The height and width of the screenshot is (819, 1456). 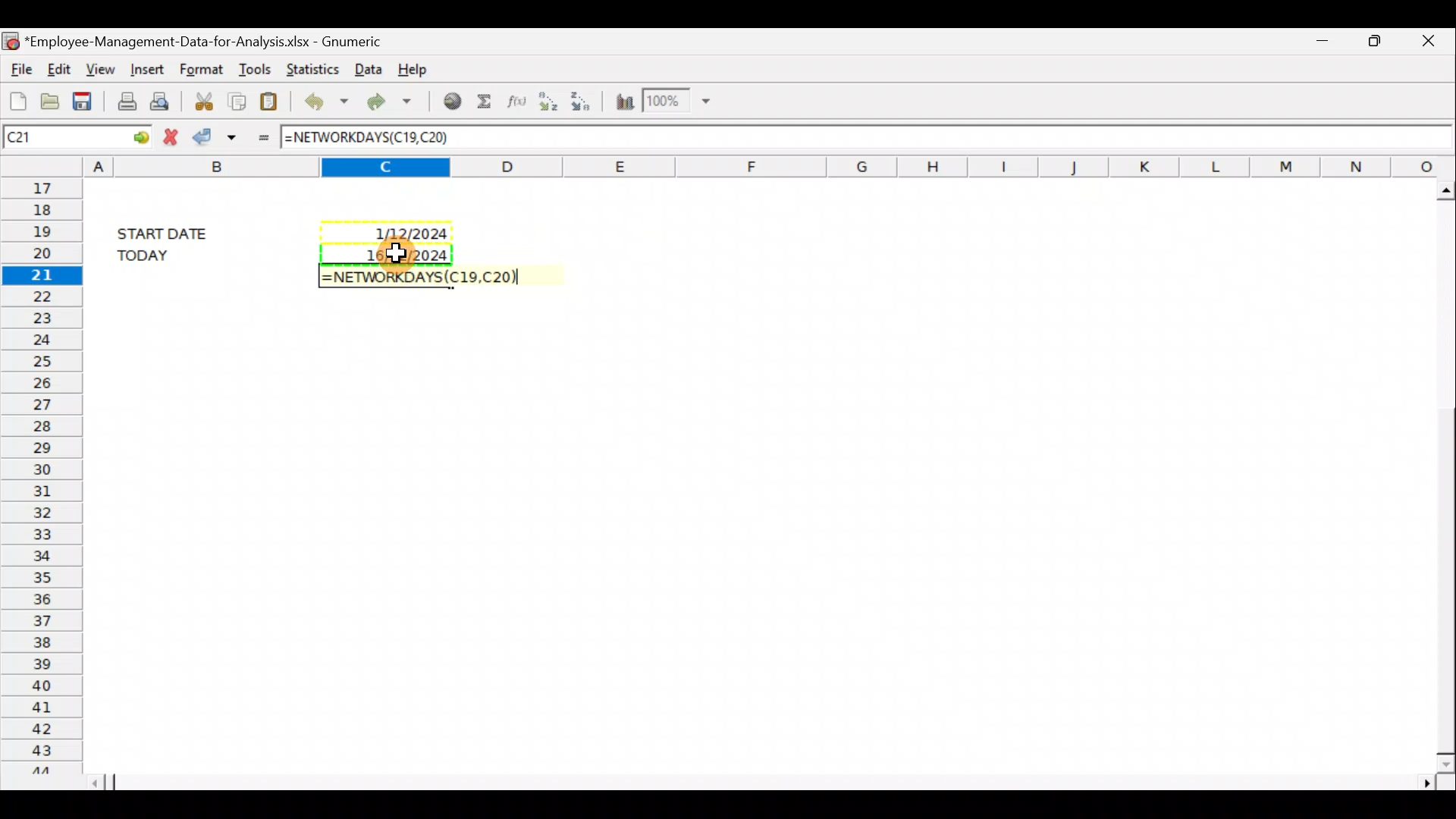 What do you see at coordinates (1323, 44) in the screenshot?
I see `Minimize` at bounding box center [1323, 44].